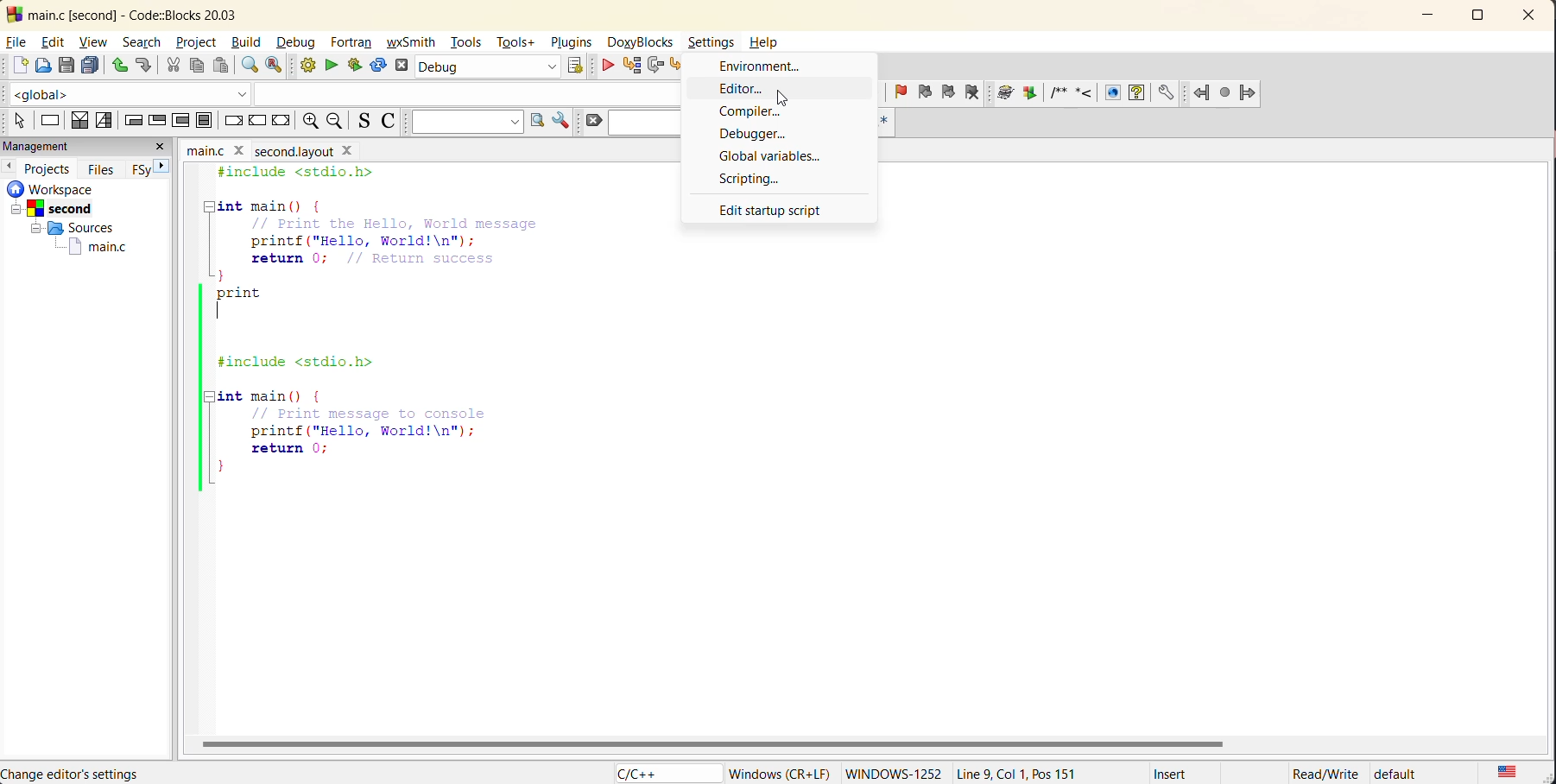 The image size is (1556, 784). I want to click on edit, so click(56, 41).